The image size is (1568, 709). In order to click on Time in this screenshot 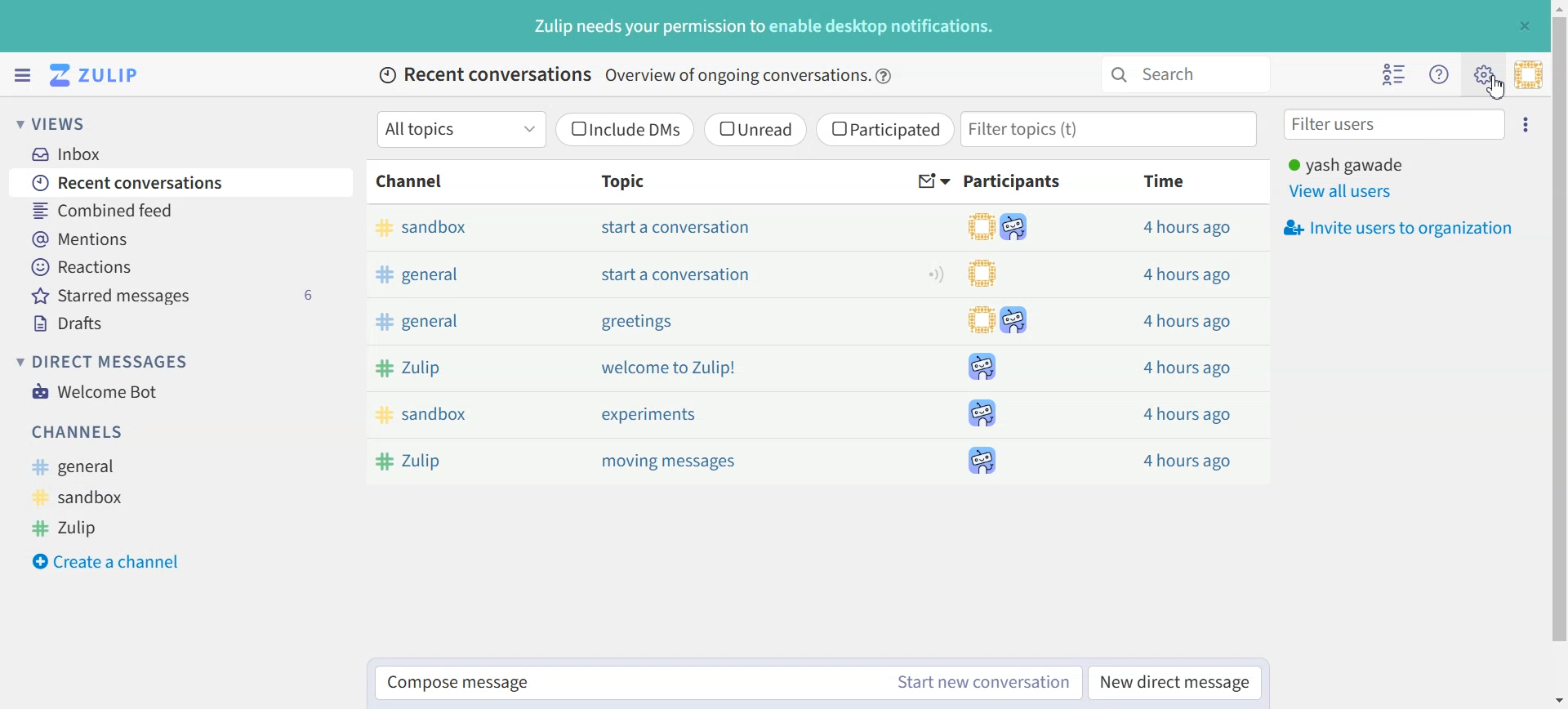, I will do `click(1166, 181)`.